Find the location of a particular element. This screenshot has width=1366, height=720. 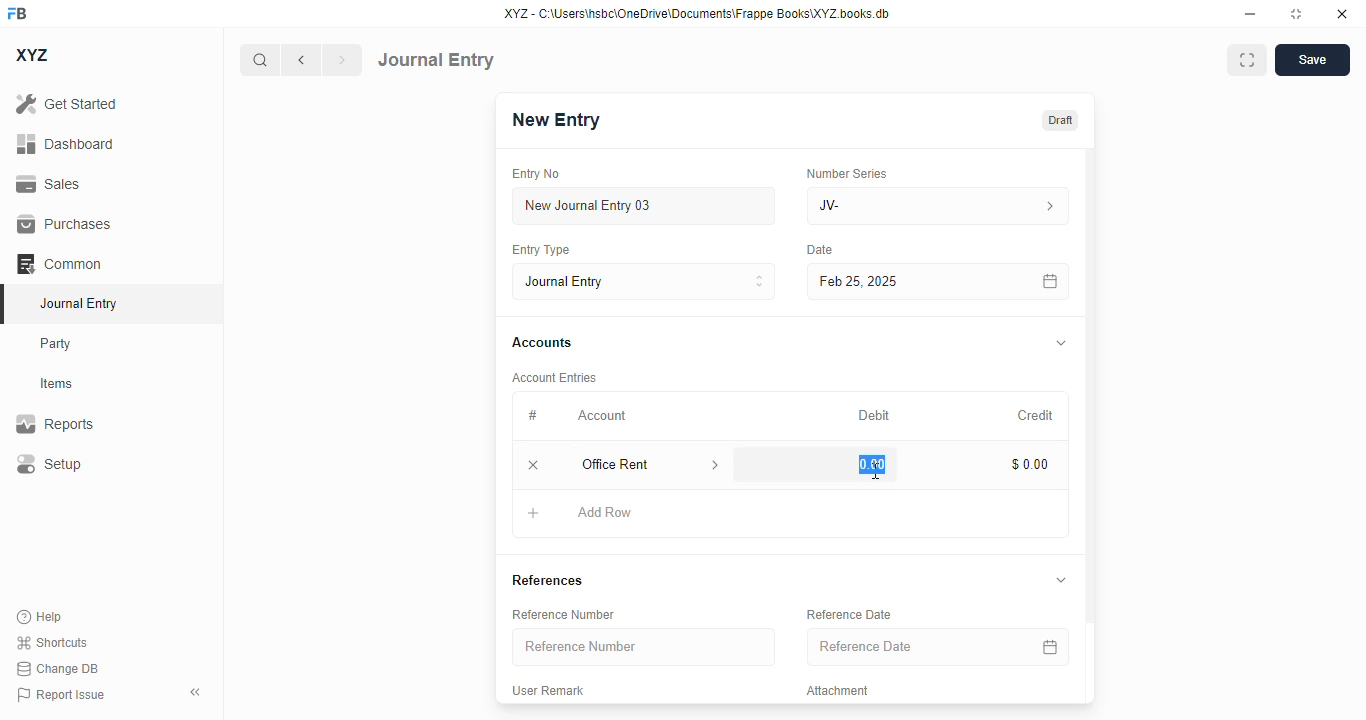

toggle sidebar is located at coordinates (197, 692).